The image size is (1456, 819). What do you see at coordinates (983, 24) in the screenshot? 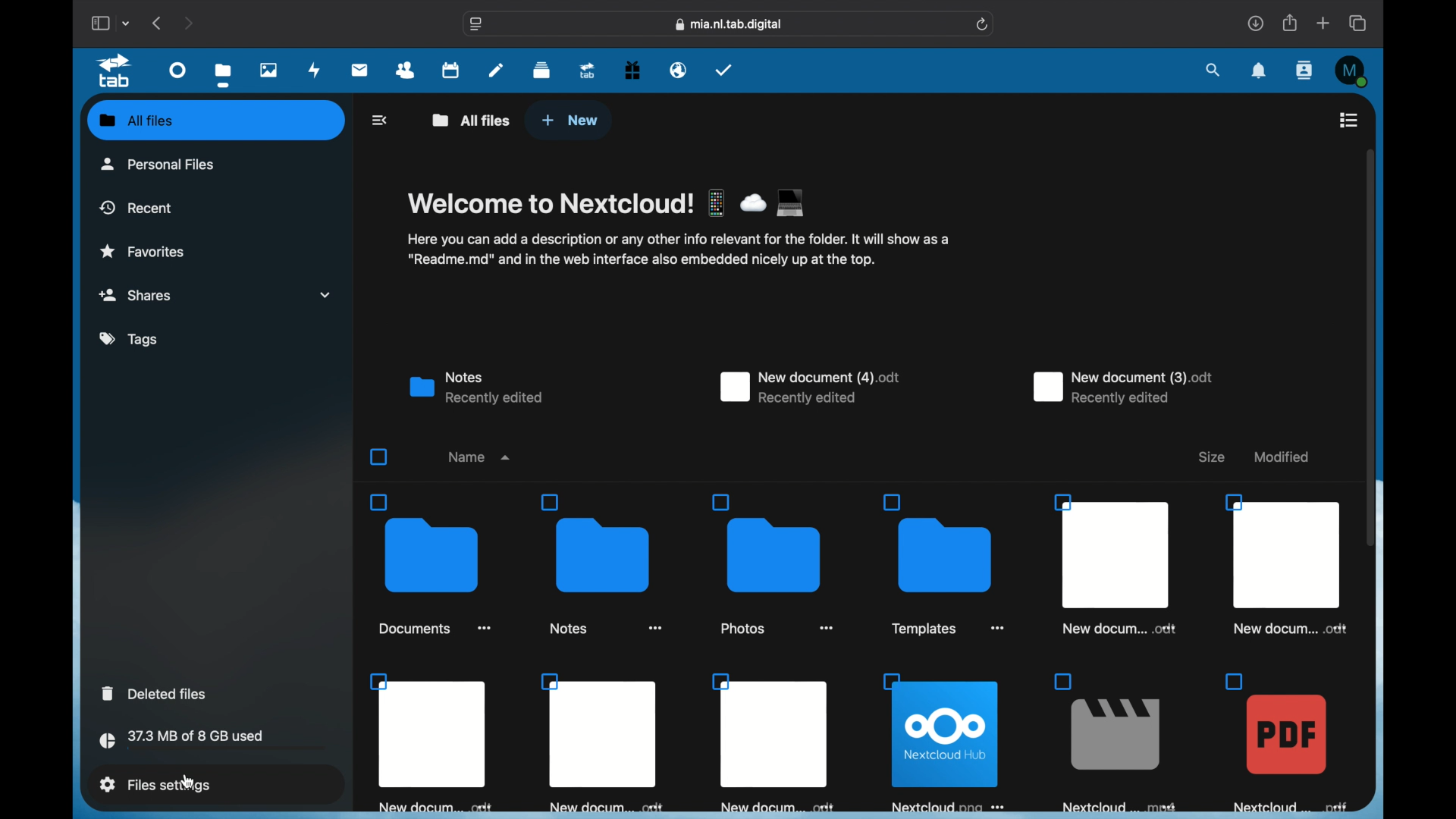
I see `refresh` at bounding box center [983, 24].